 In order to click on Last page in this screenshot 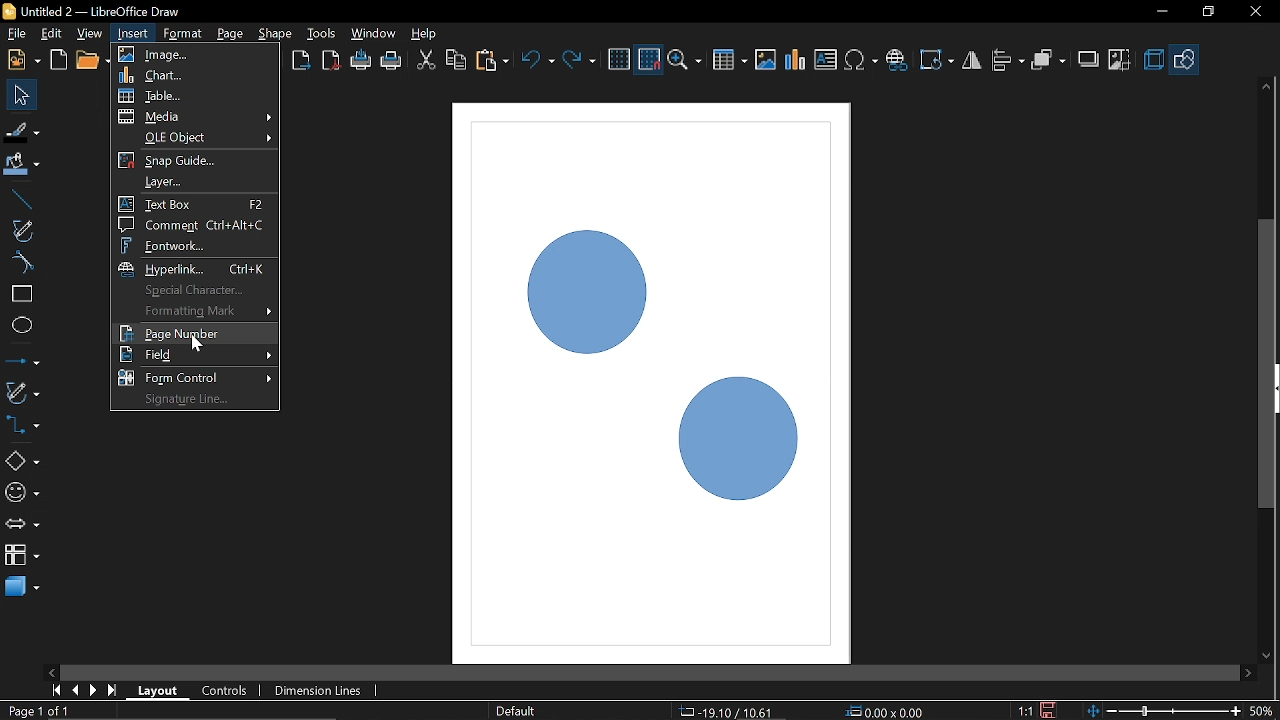, I will do `click(114, 692)`.